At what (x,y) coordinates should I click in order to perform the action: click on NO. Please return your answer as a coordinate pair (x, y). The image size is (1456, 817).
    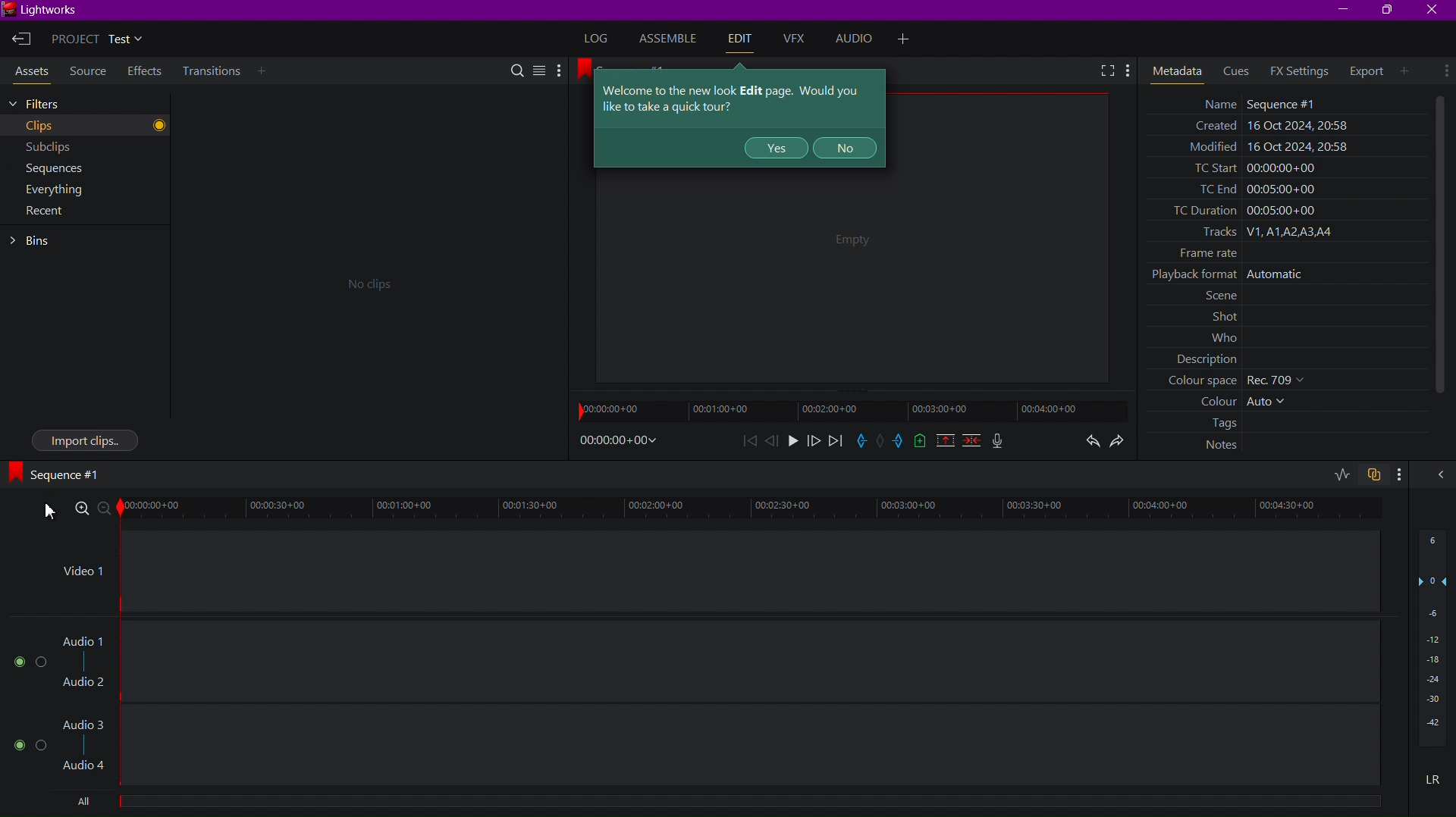
    Looking at the image, I should click on (842, 146).